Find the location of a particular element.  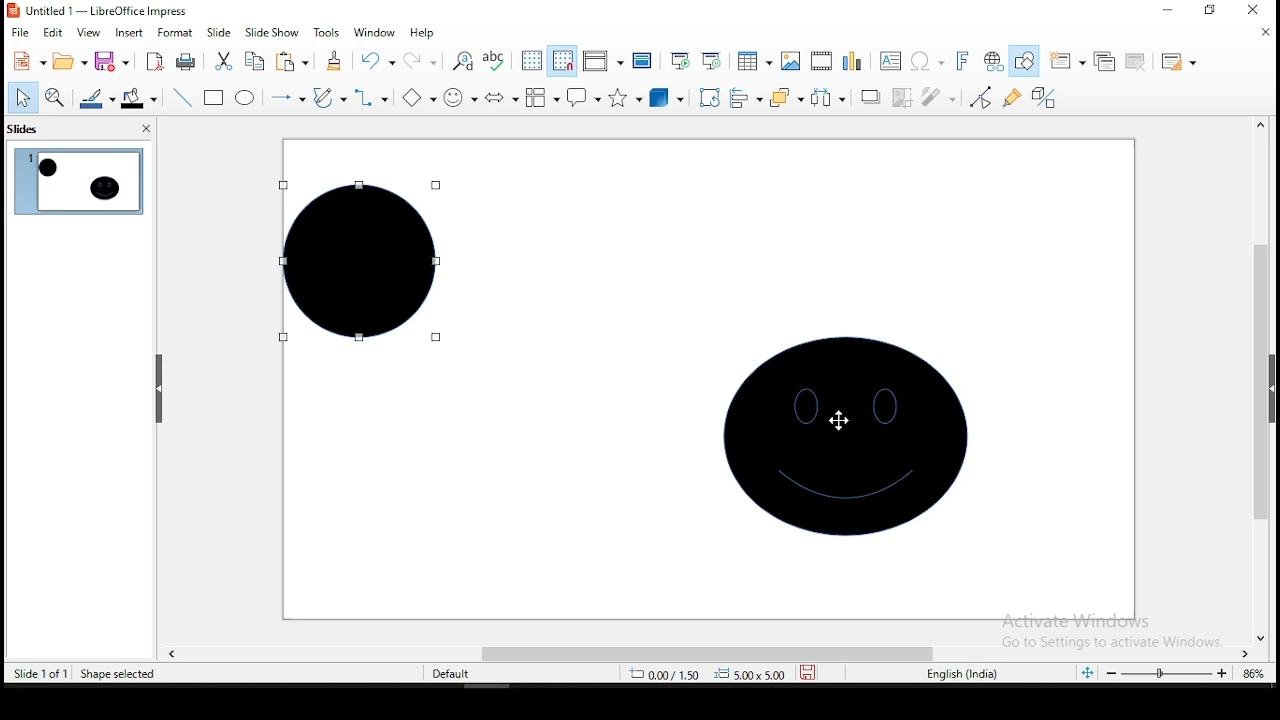

insert video is located at coordinates (822, 61).